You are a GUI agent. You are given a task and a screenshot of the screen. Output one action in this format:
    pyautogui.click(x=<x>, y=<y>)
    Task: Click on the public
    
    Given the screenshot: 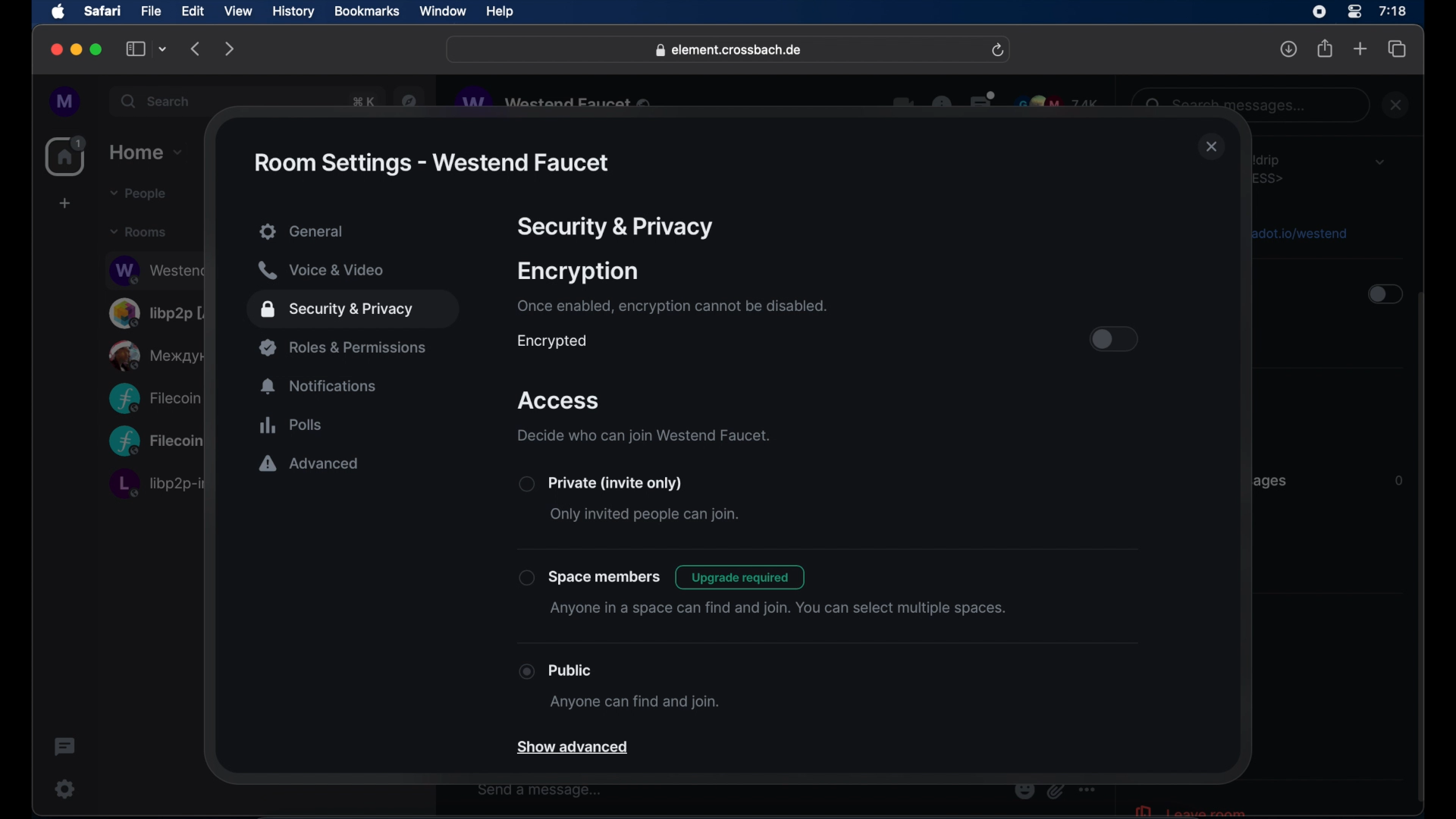 What is the action you would take?
    pyautogui.click(x=556, y=670)
    